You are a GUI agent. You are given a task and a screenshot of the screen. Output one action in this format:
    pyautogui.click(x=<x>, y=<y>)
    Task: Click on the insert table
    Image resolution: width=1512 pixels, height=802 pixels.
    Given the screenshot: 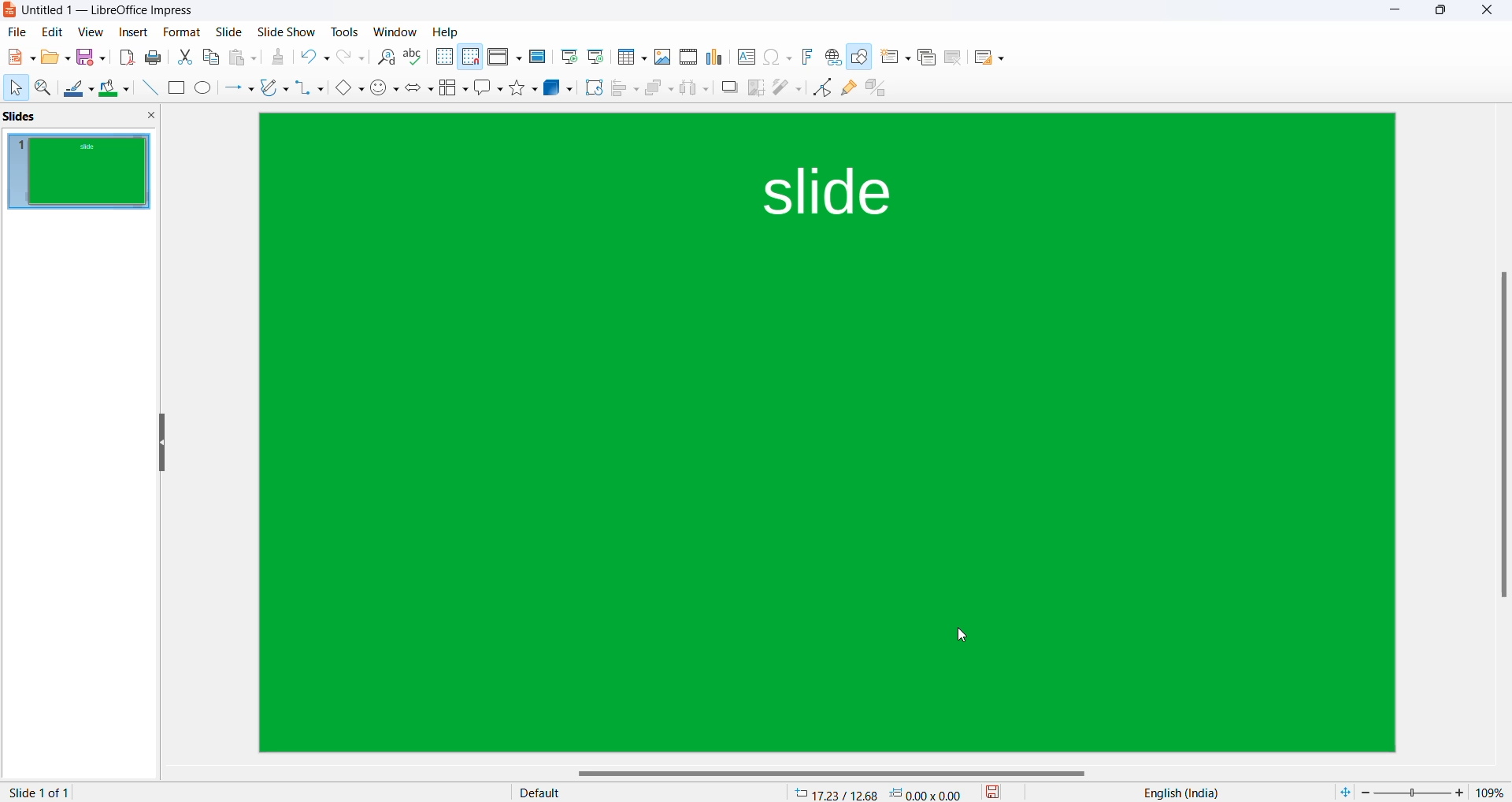 What is the action you would take?
    pyautogui.click(x=631, y=57)
    